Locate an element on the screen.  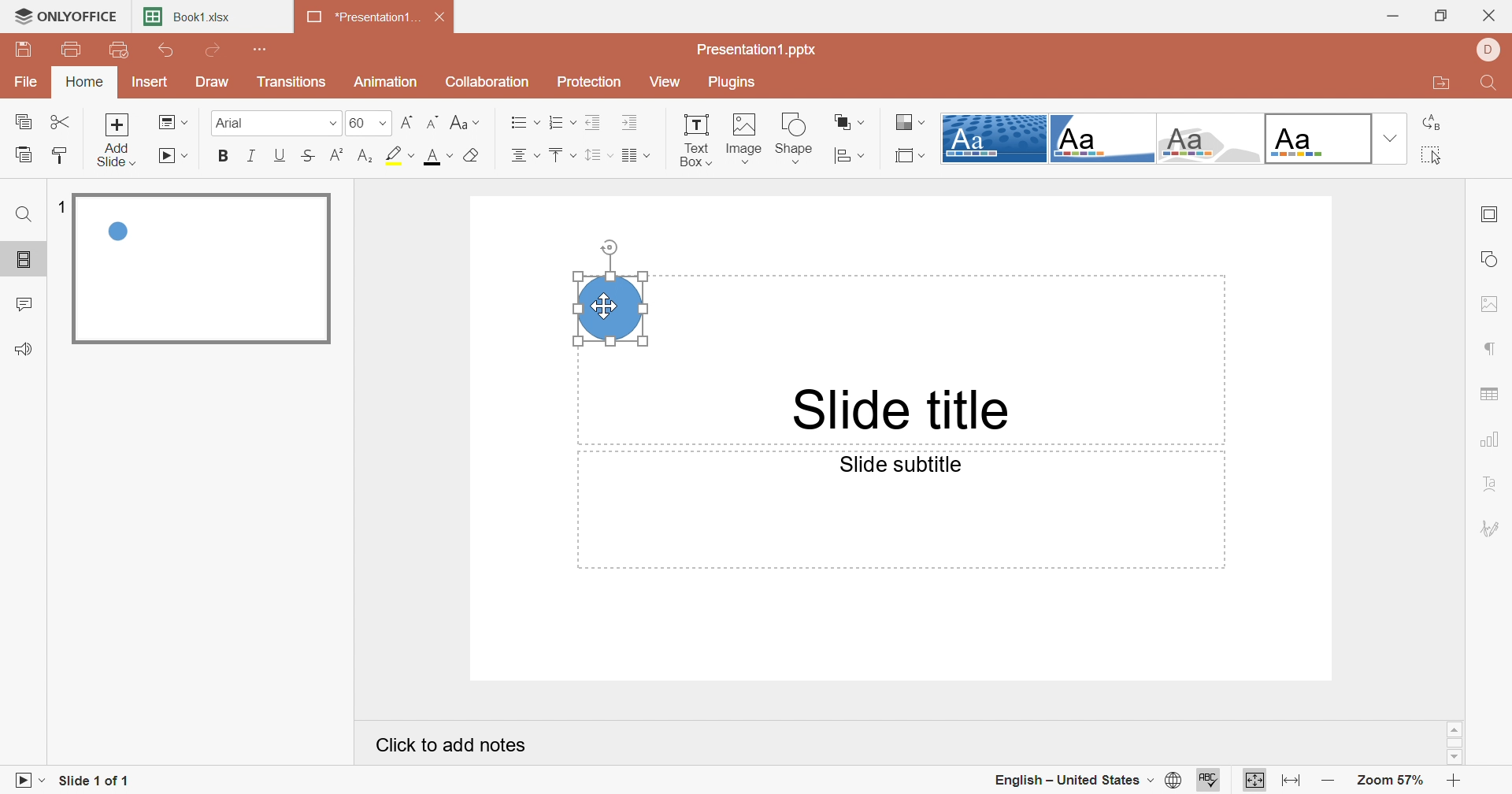
Customize Quick Access Toolbar is located at coordinates (262, 49).